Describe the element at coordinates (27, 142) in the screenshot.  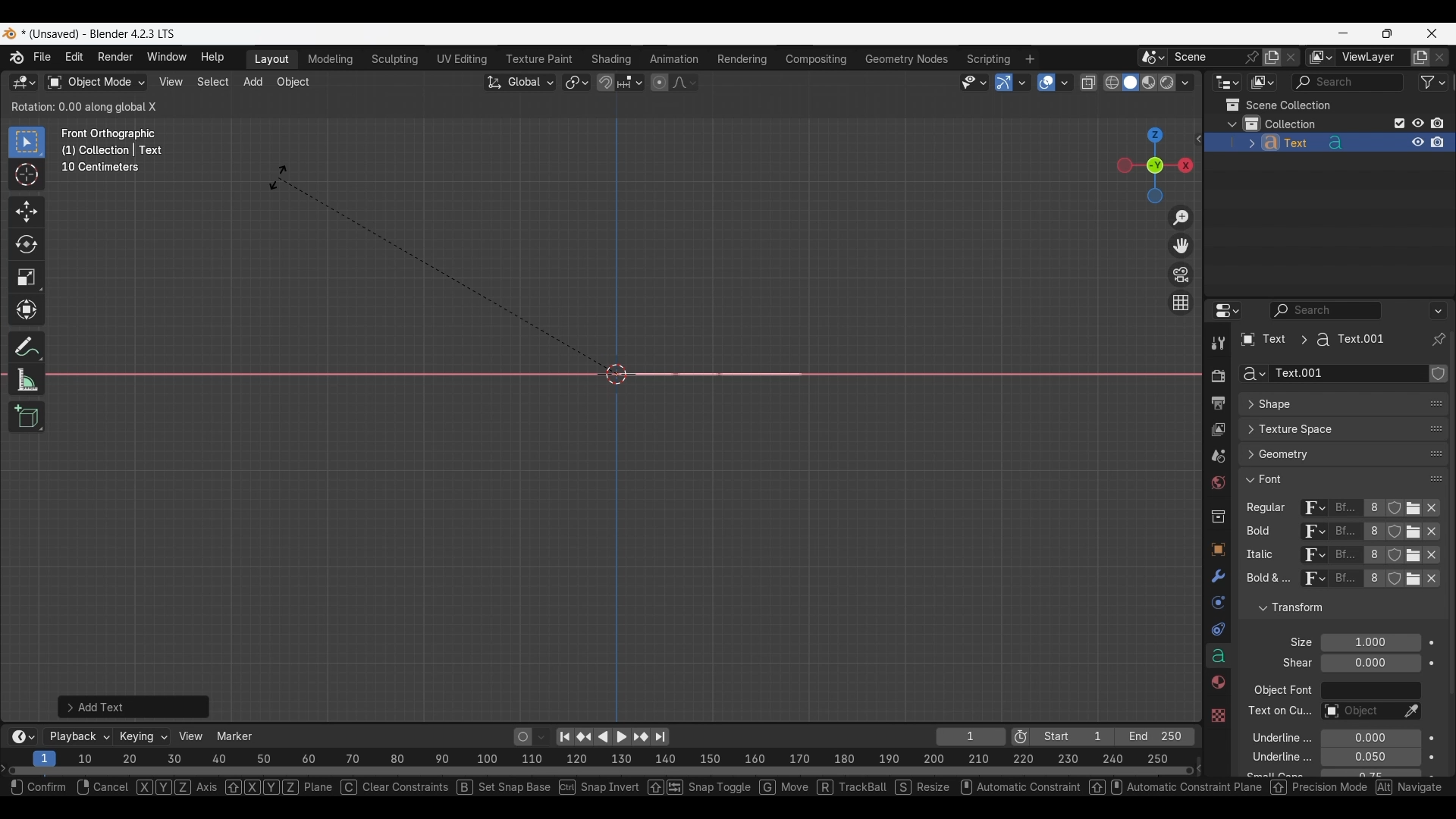
I see `Select box` at that location.